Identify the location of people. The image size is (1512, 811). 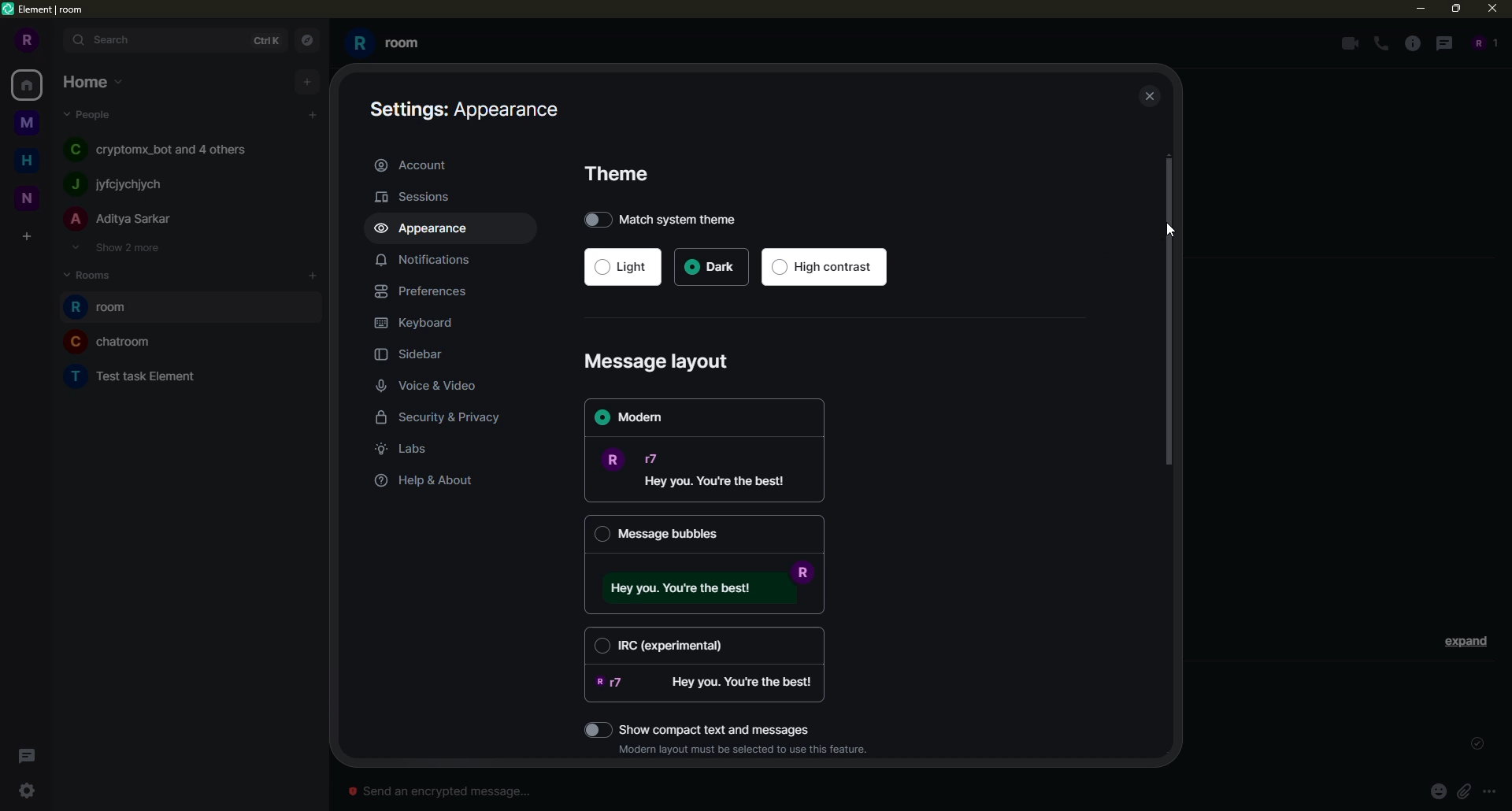
(121, 220).